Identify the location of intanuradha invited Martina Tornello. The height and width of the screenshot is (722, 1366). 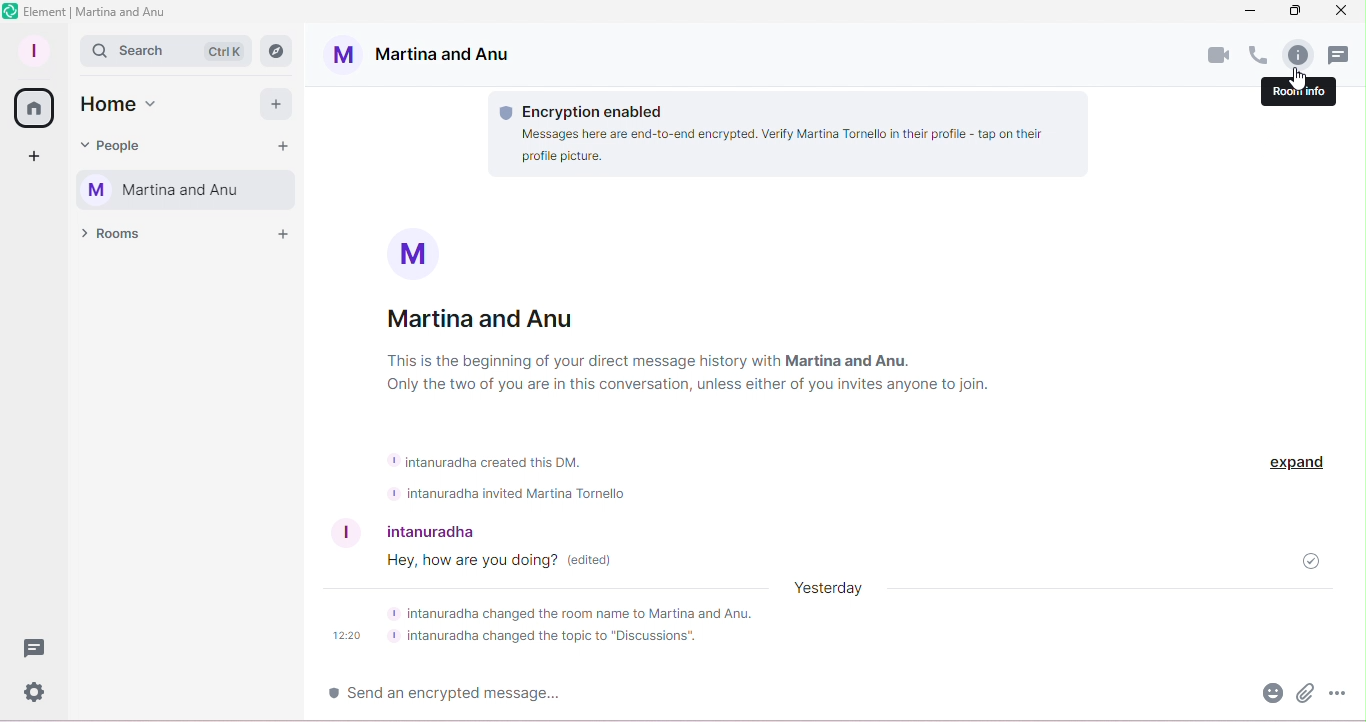
(513, 494).